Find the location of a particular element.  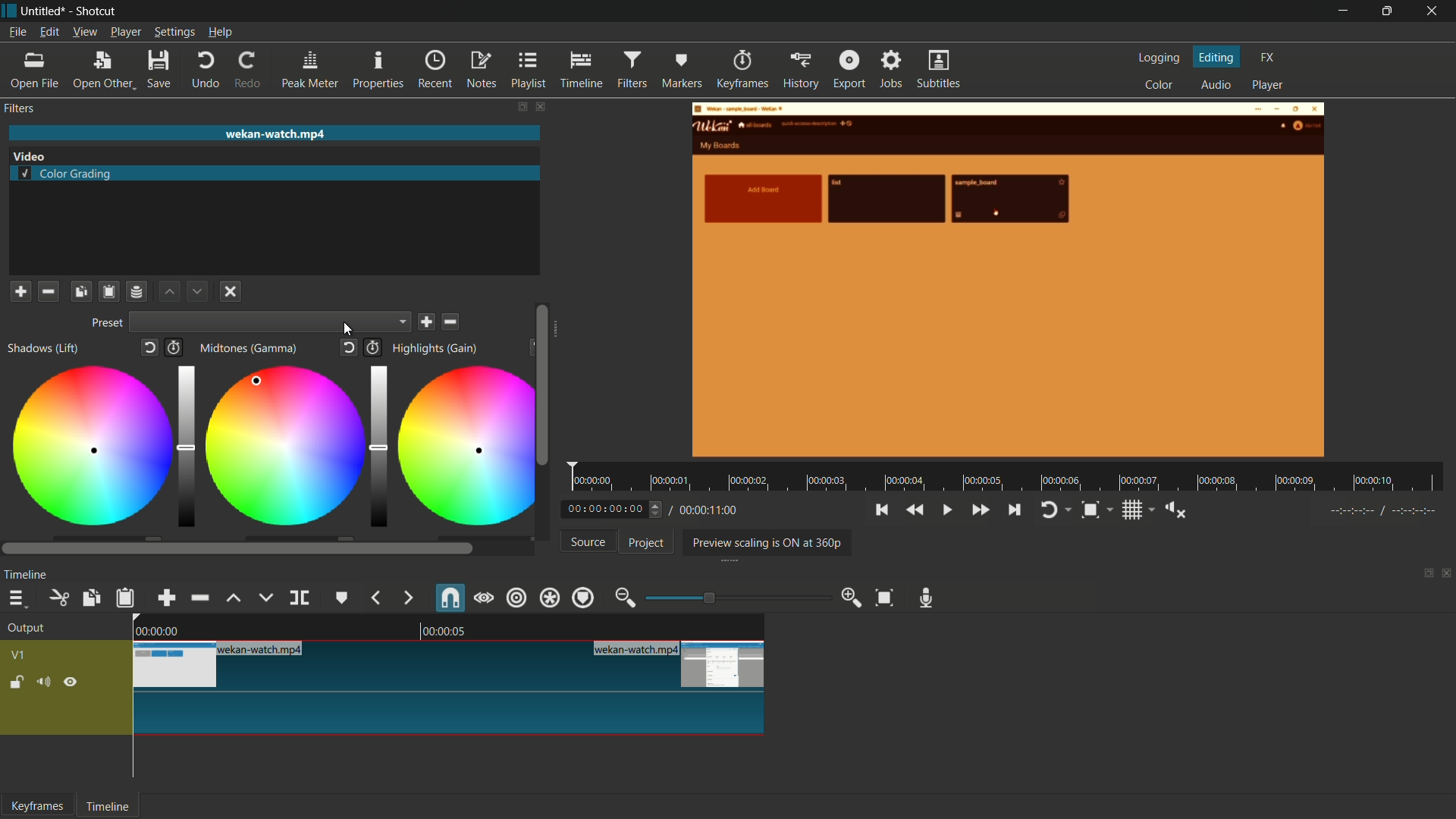

preview scaling is on at 360p is located at coordinates (767, 541).